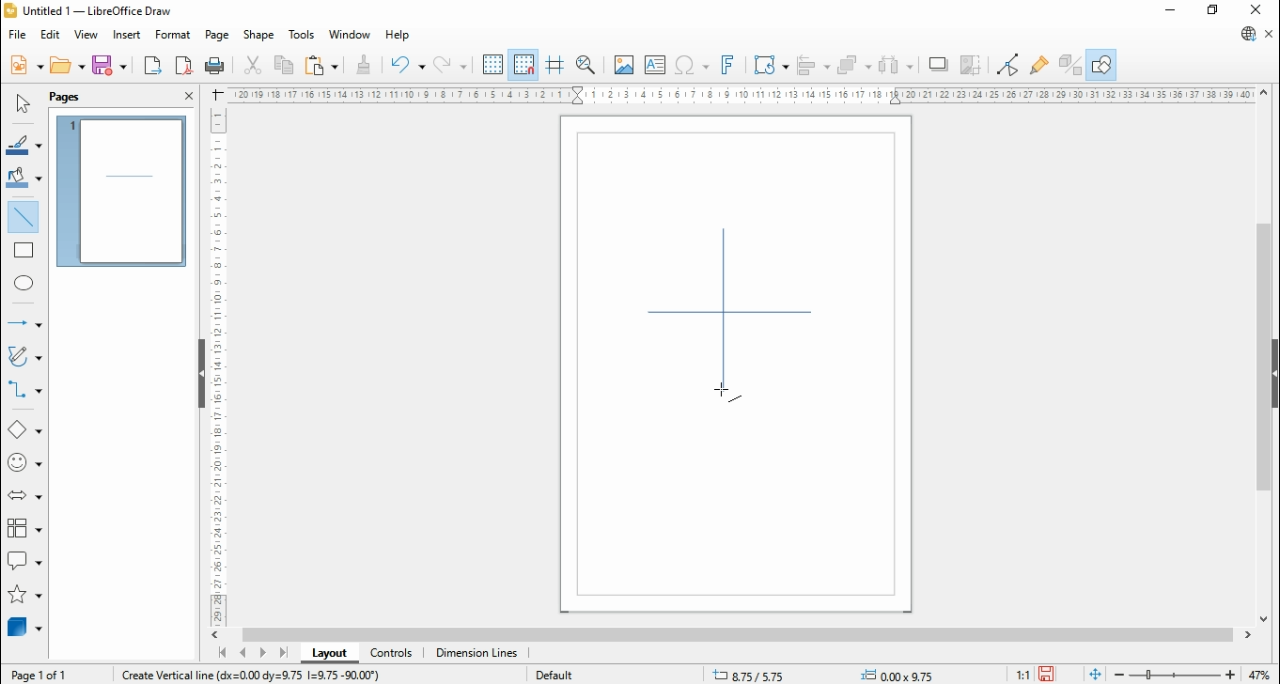 The height and width of the screenshot is (684, 1280). Describe the element at coordinates (1171, 12) in the screenshot. I see `minimize` at that location.